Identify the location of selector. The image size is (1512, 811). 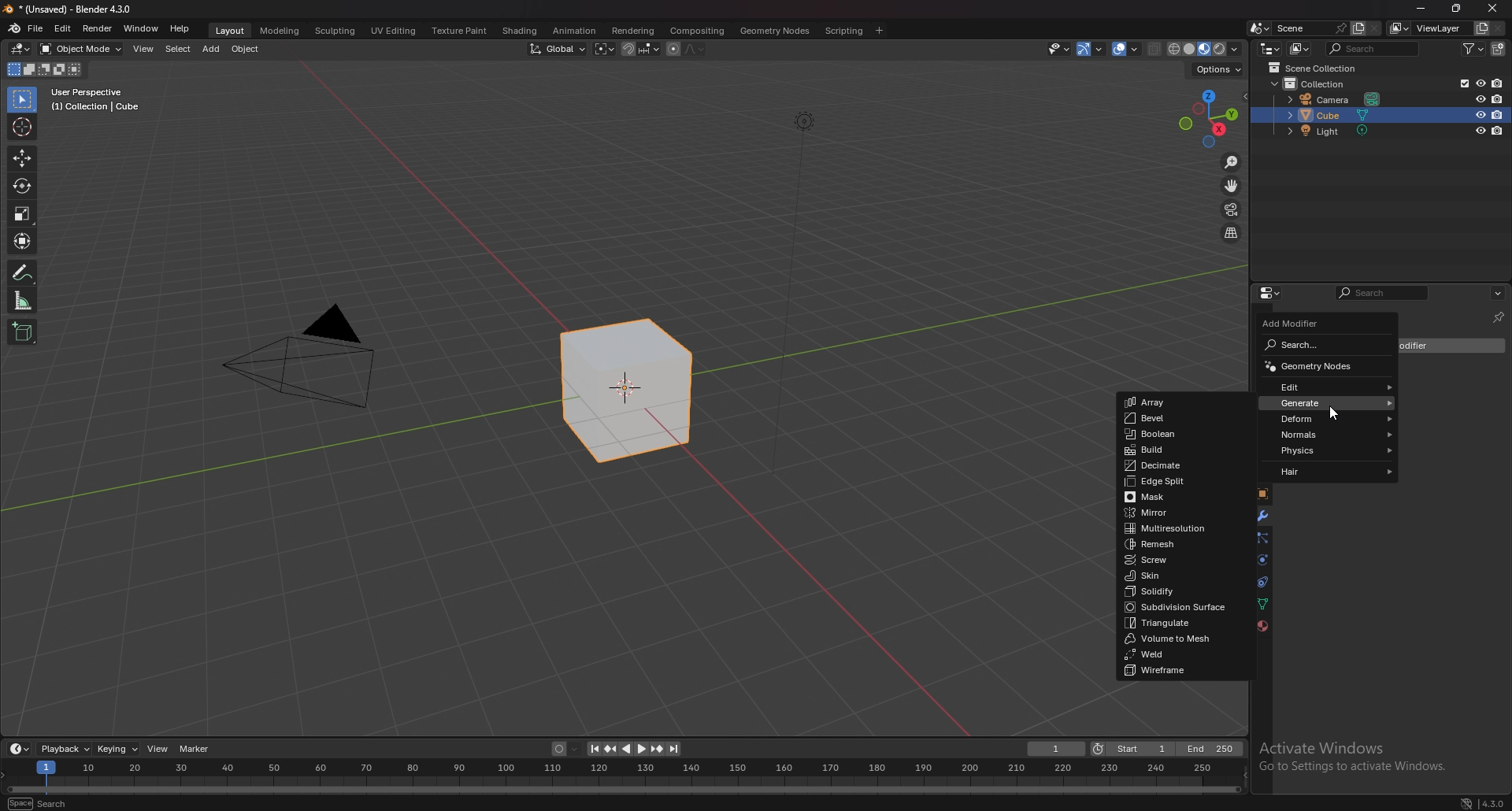
(23, 100).